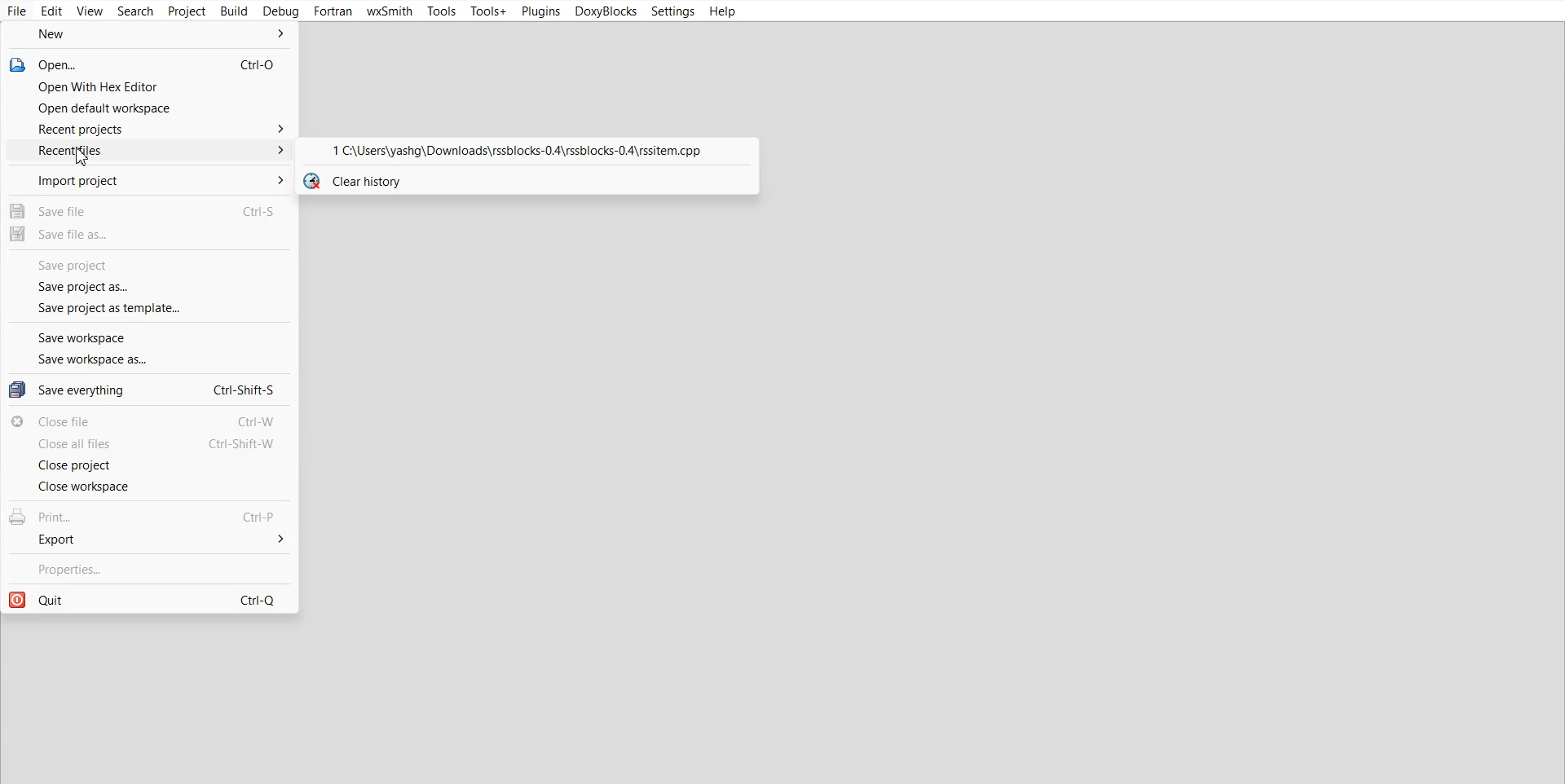  What do you see at coordinates (149, 35) in the screenshot?
I see `New` at bounding box center [149, 35].